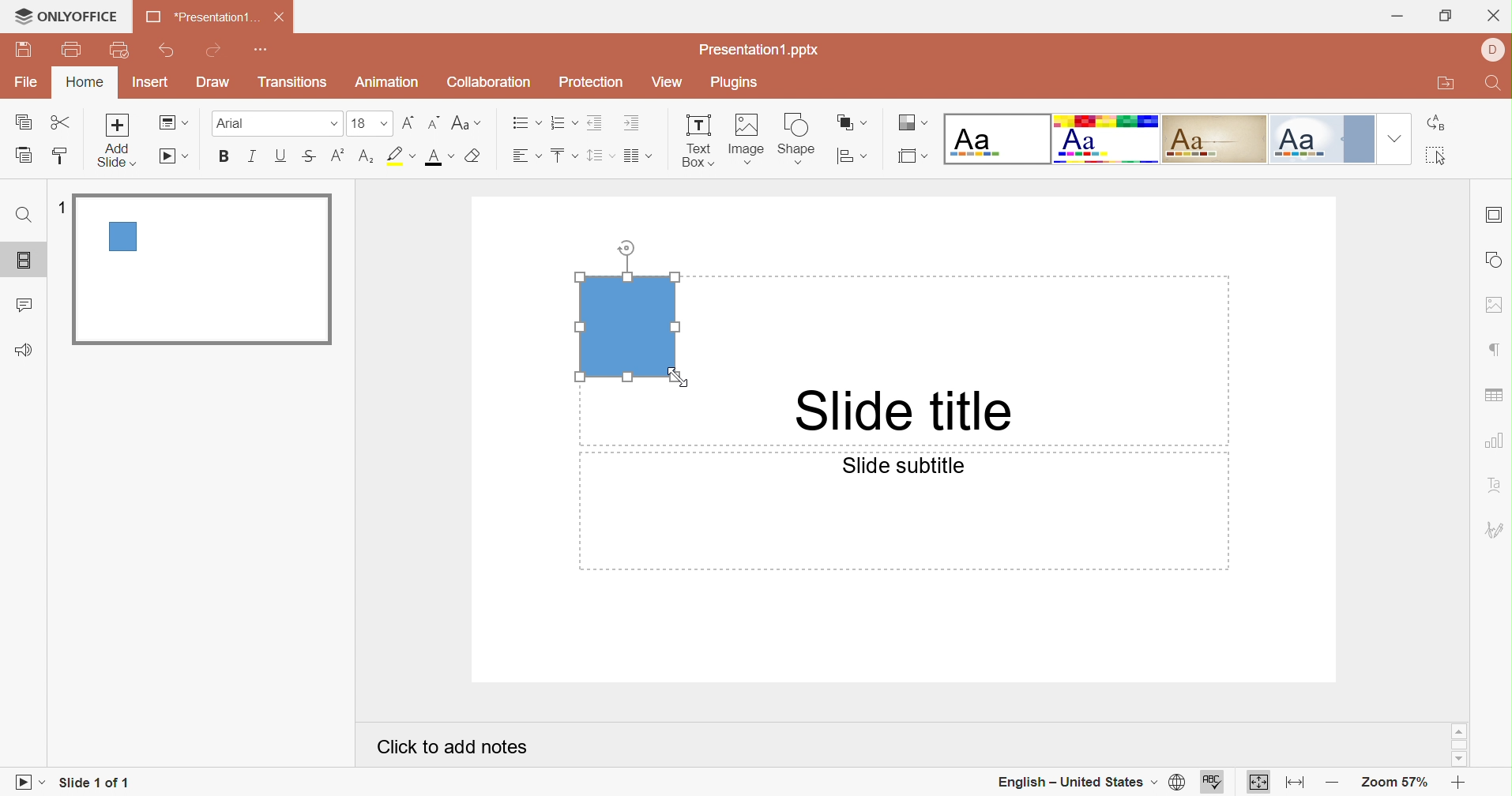 The image size is (1512, 796). Describe the element at coordinates (202, 268) in the screenshot. I see `Slide` at that location.